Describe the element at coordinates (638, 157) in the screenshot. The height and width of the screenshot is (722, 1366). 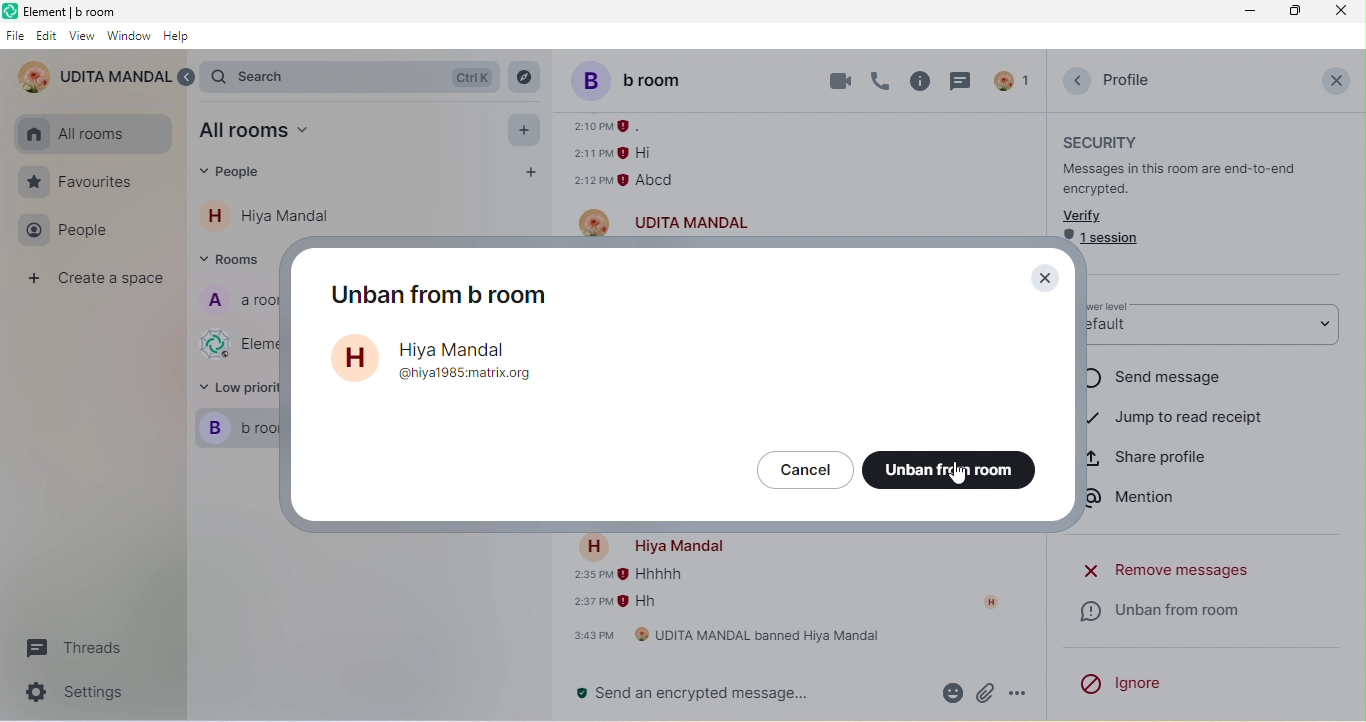
I see `older message` at that location.